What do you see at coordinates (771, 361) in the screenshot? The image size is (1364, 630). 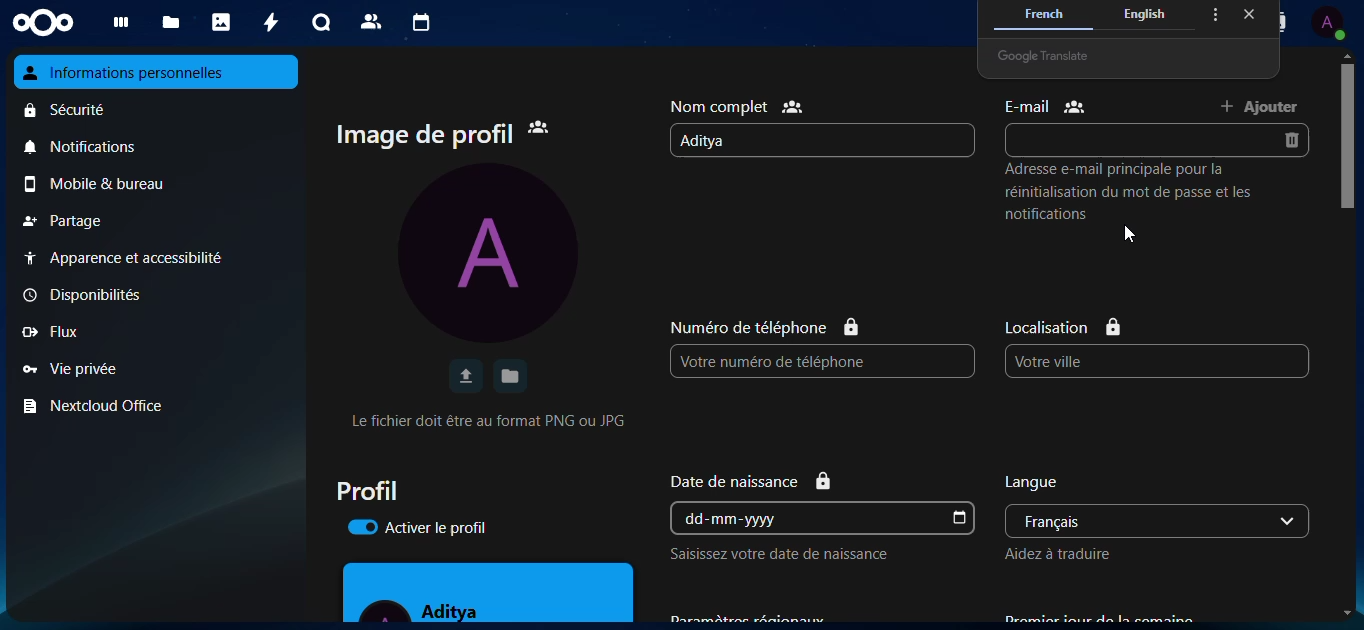 I see `Votre numero de telephone` at bounding box center [771, 361].